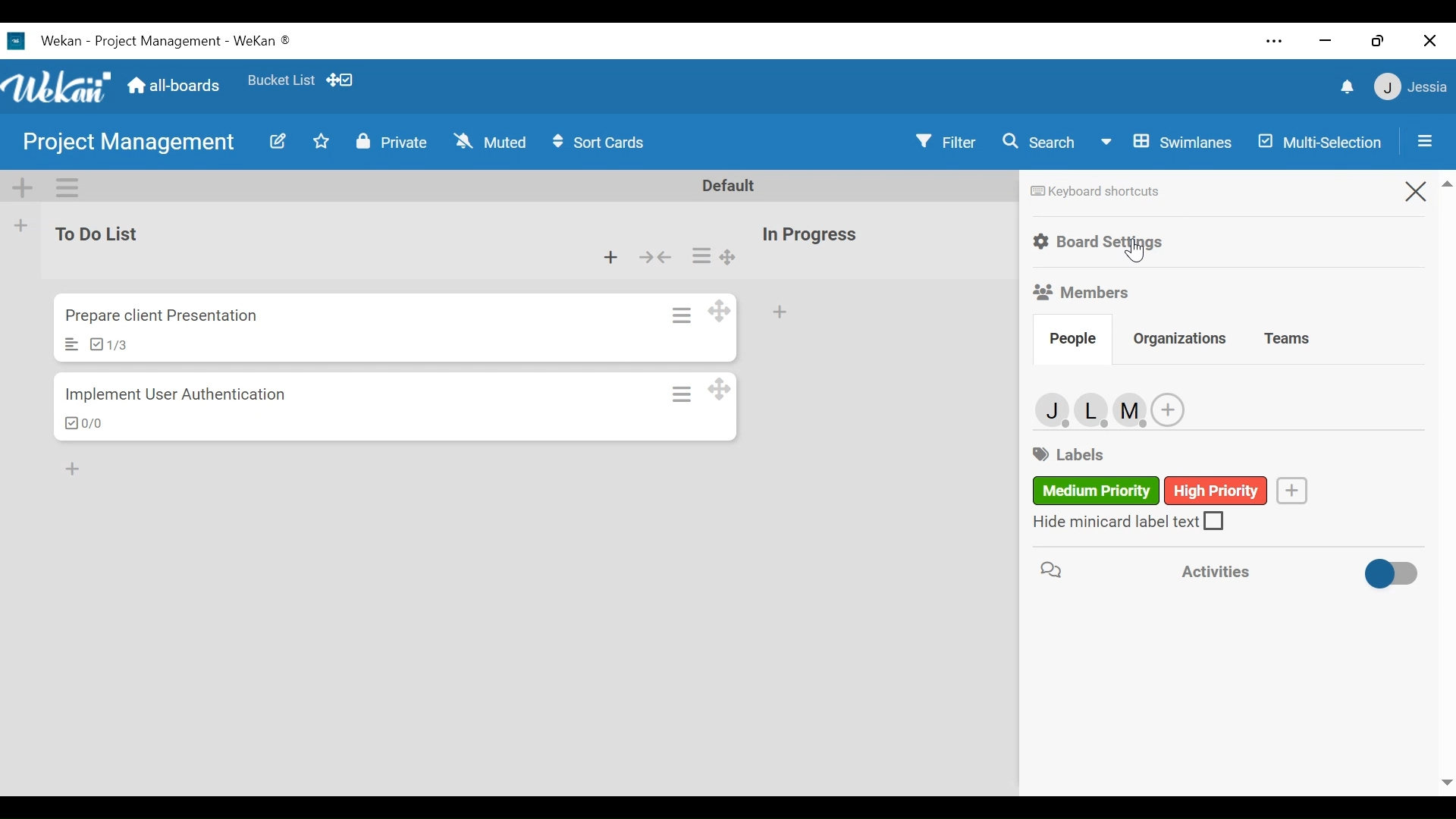 Image resolution: width=1456 pixels, height=819 pixels. Describe the element at coordinates (1423, 142) in the screenshot. I see `Open/Close Side Pane` at that location.